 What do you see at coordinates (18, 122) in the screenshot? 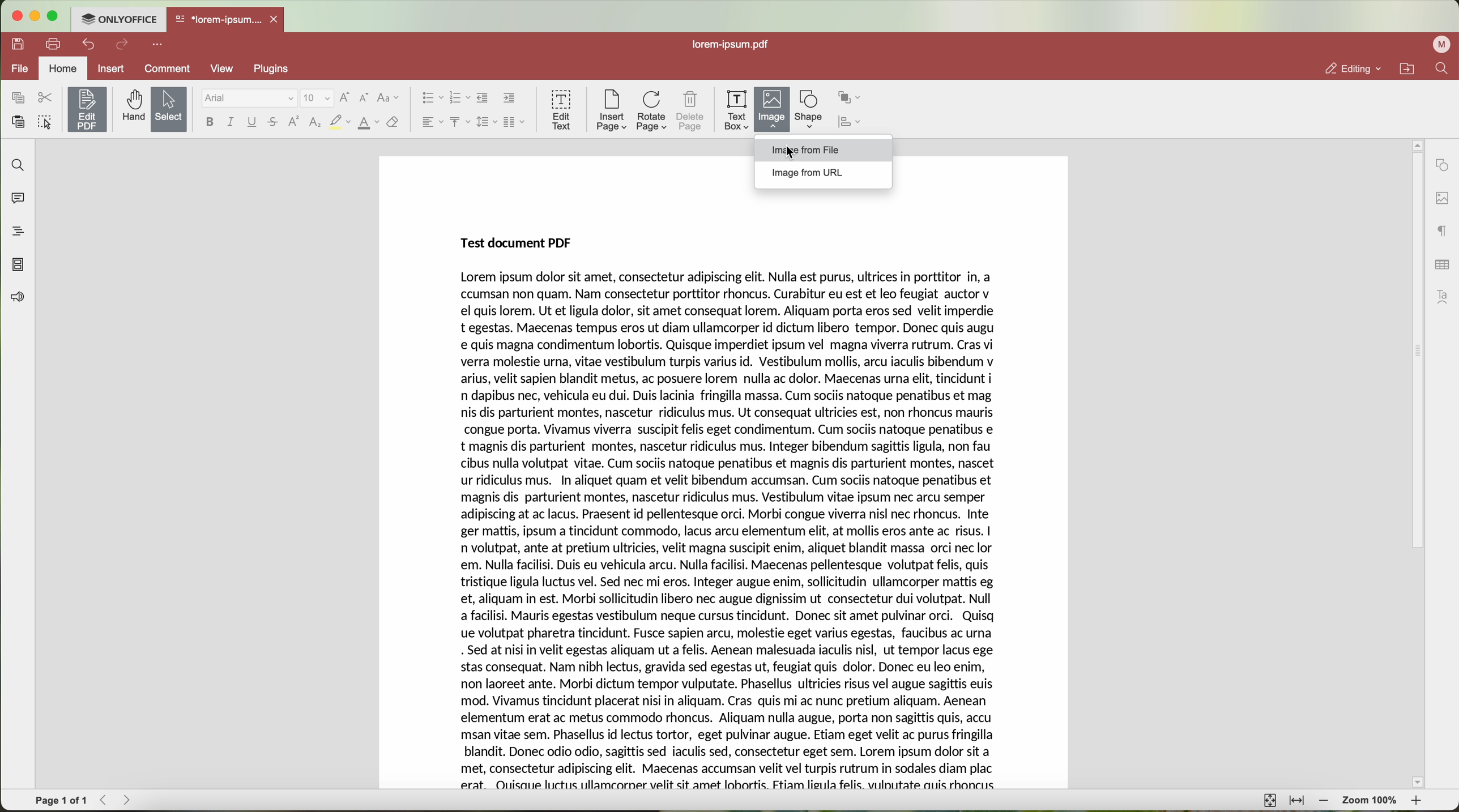
I see `paste` at bounding box center [18, 122].